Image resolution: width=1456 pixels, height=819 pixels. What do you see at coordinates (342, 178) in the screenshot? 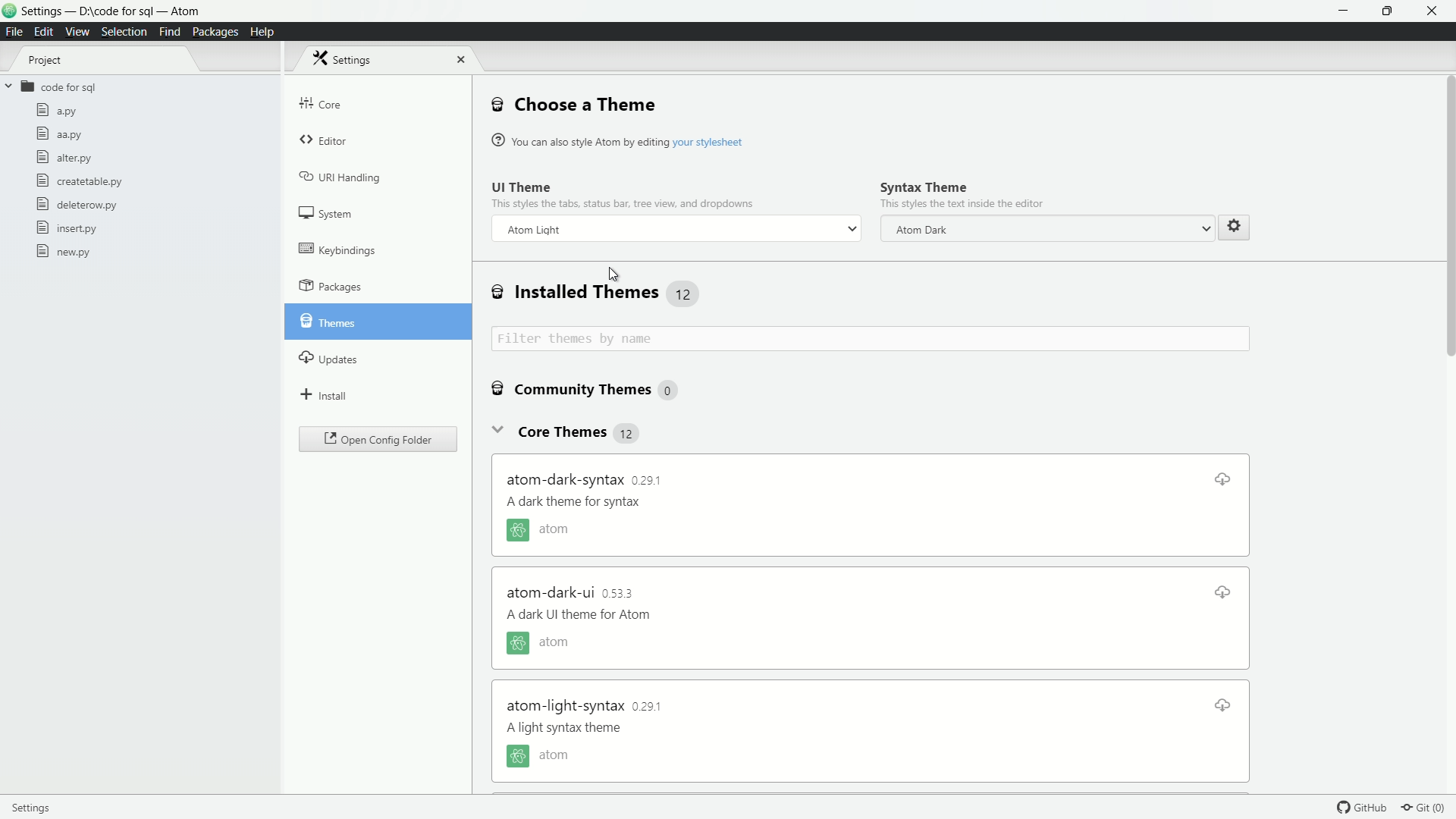
I see `uri handing` at bounding box center [342, 178].